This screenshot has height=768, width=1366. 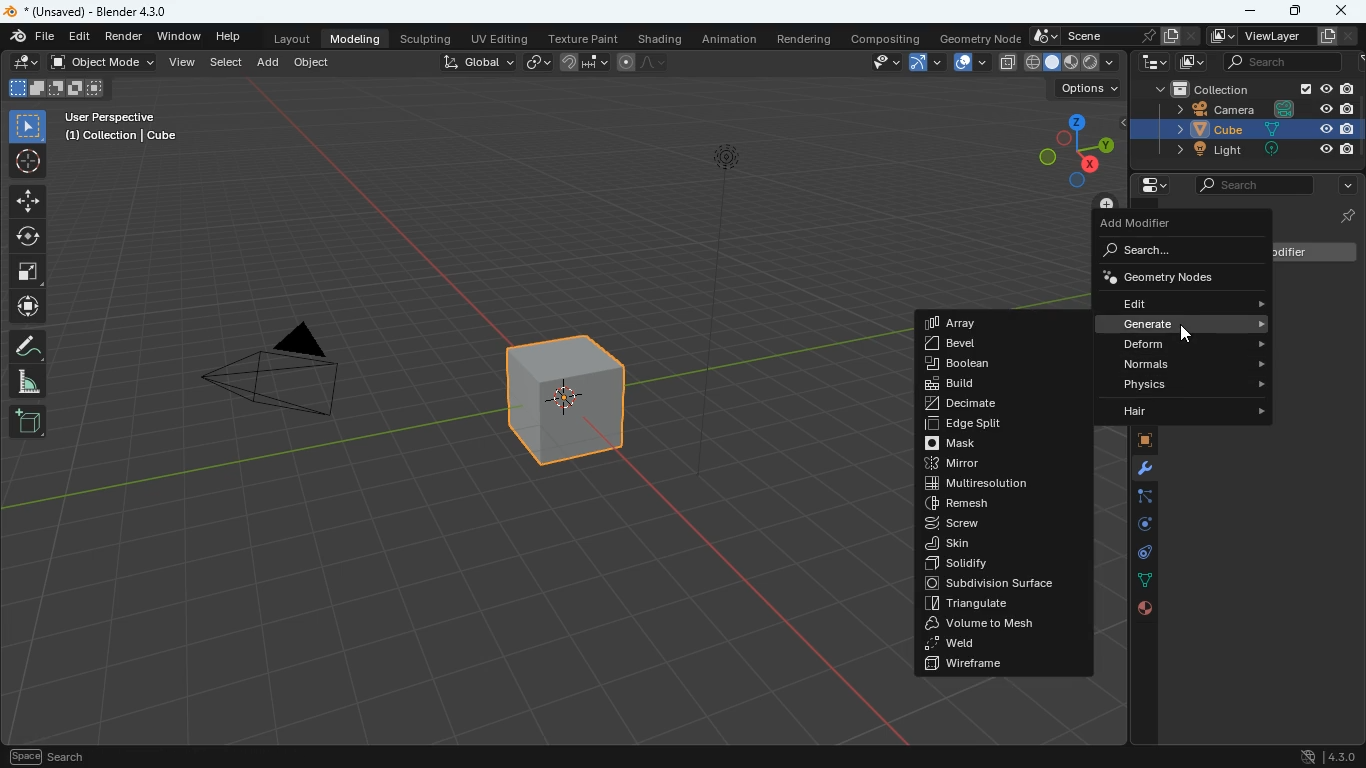 I want to click on scene, so click(x=1113, y=37).